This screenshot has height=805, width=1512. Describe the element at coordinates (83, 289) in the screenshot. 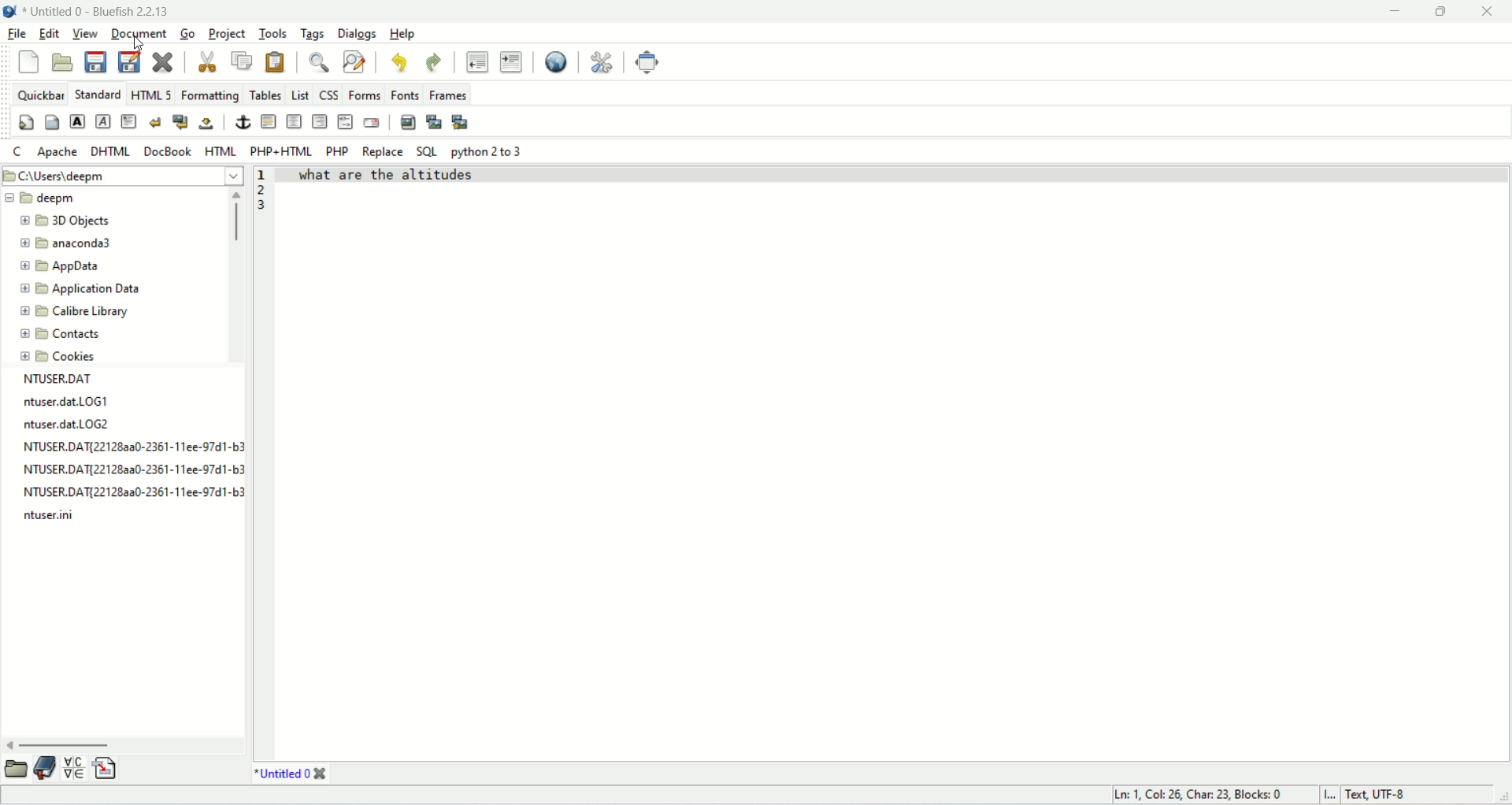

I see `application data` at that location.